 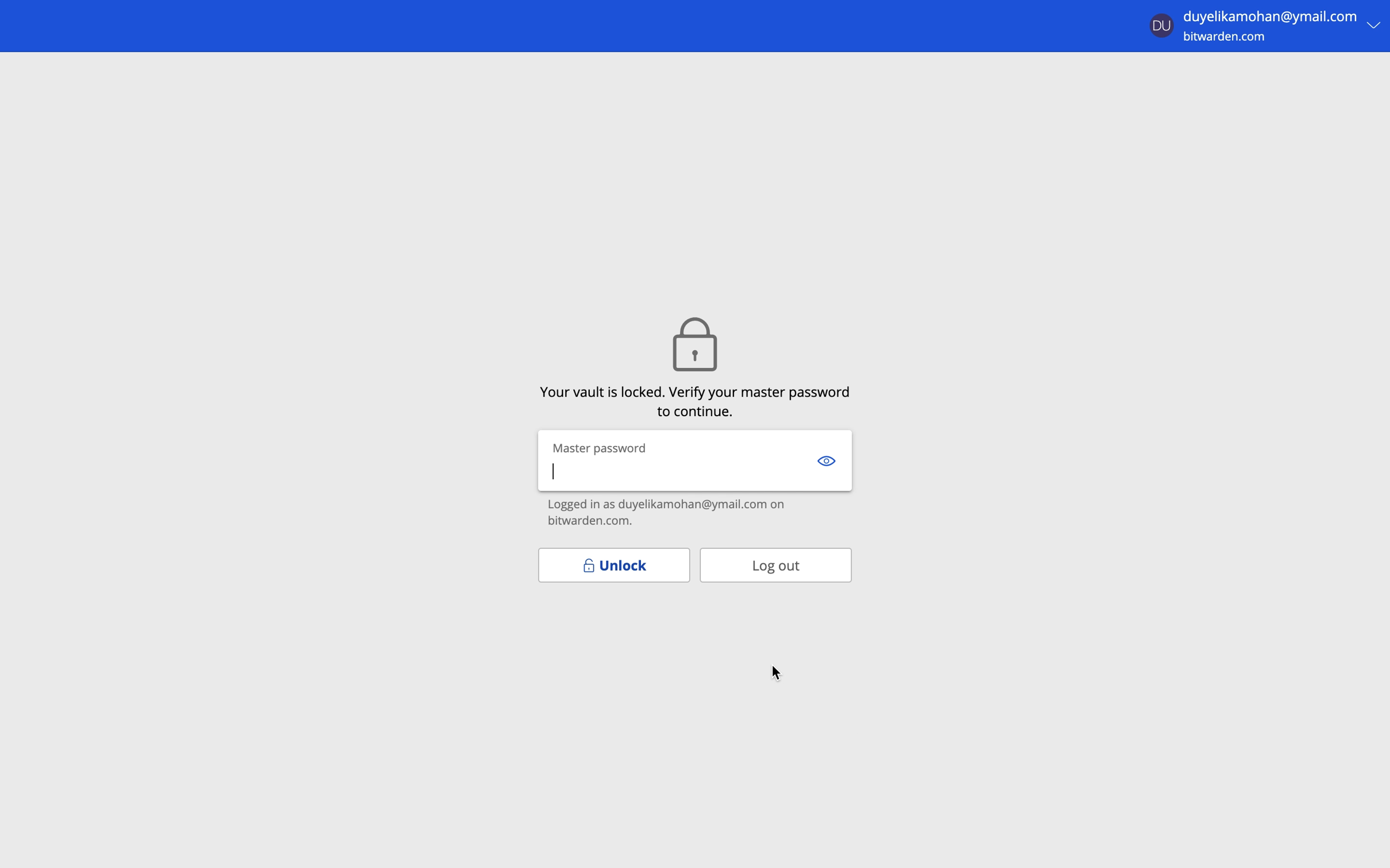 What do you see at coordinates (777, 673) in the screenshot?
I see `cursor` at bounding box center [777, 673].